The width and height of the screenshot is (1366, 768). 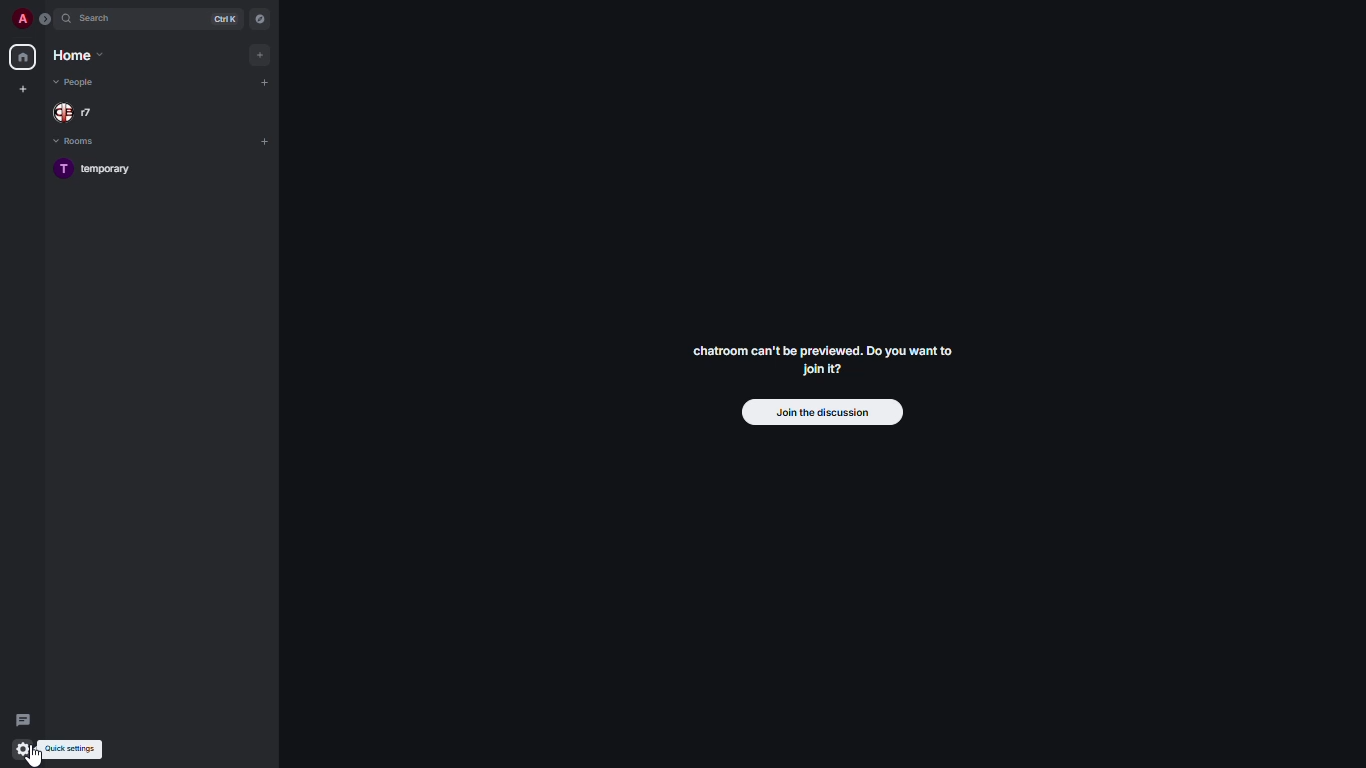 What do you see at coordinates (45, 20) in the screenshot?
I see `expand` at bounding box center [45, 20].